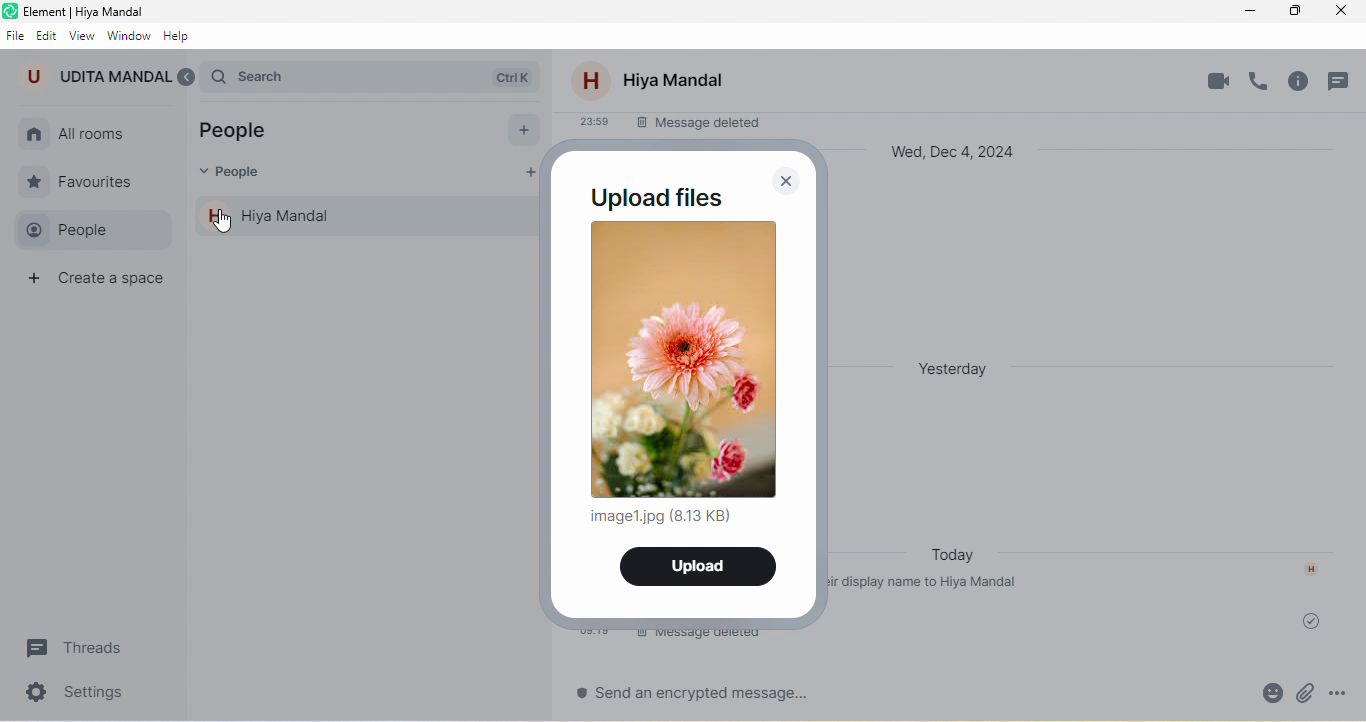 This screenshot has width=1366, height=722. Describe the element at coordinates (783, 182) in the screenshot. I see `close` at that location.